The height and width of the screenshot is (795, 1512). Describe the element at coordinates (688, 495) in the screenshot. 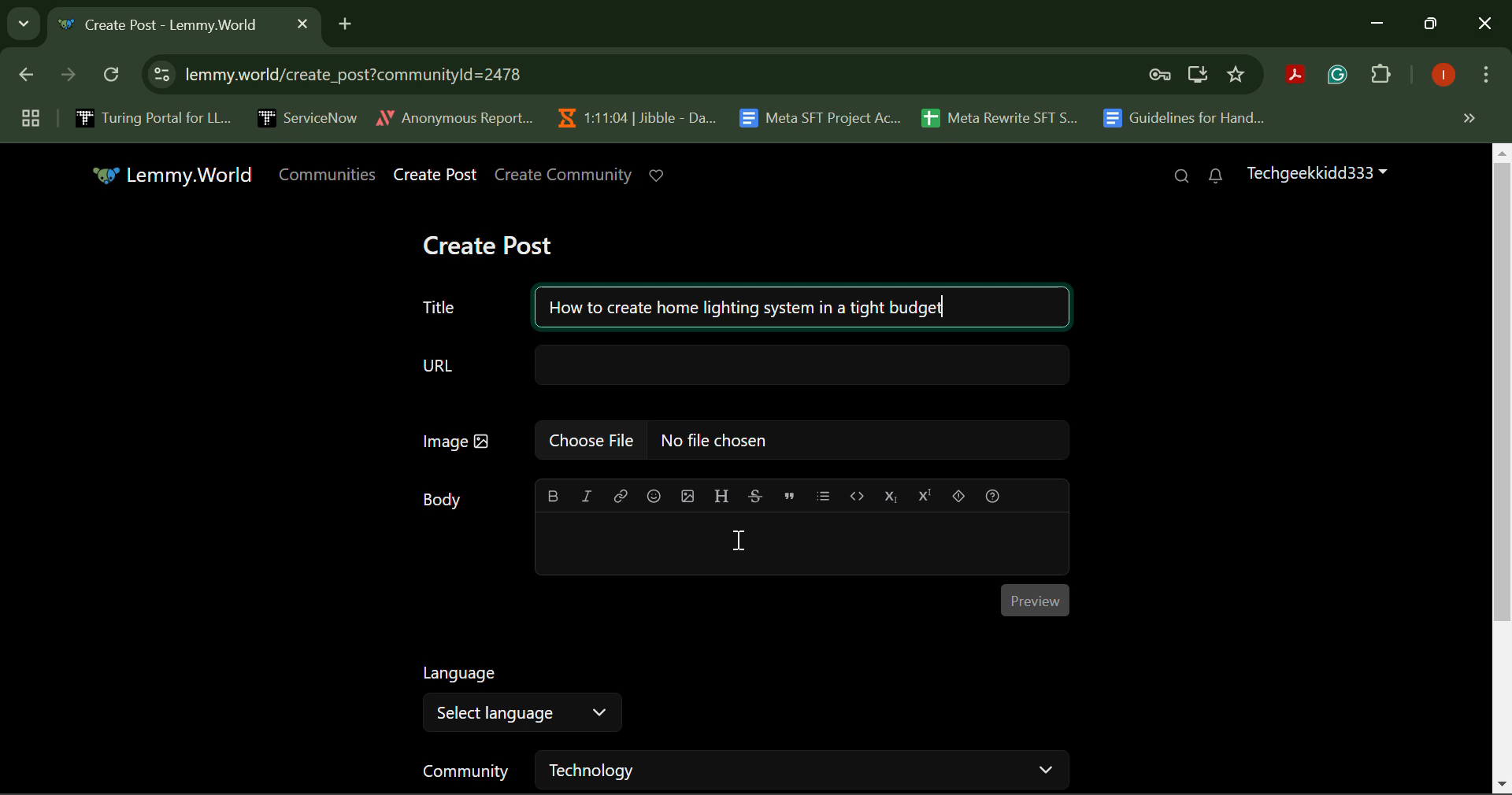

I see `upload image` at that location.